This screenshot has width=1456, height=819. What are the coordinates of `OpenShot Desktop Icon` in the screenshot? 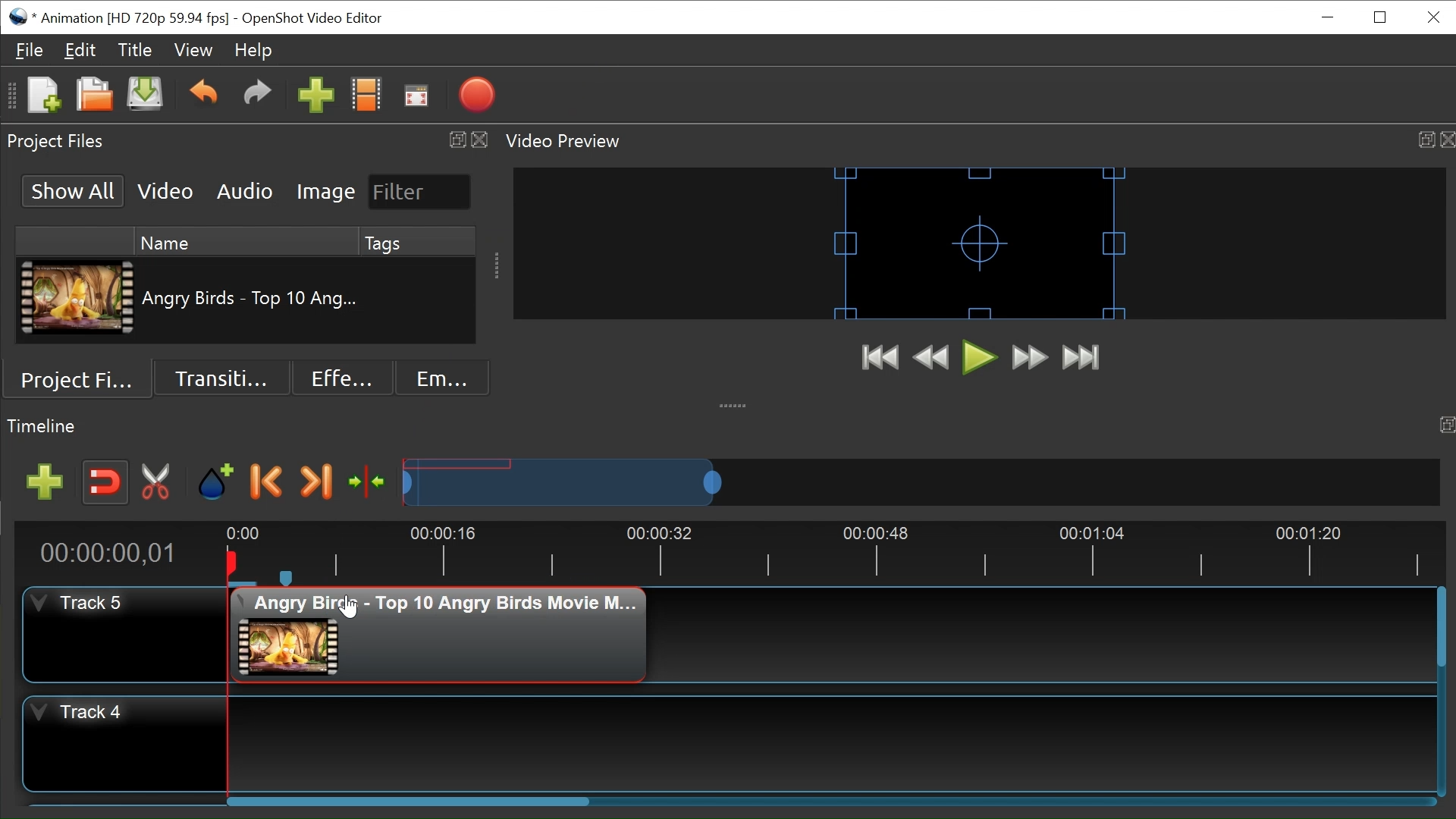 It's located at (20, 17).